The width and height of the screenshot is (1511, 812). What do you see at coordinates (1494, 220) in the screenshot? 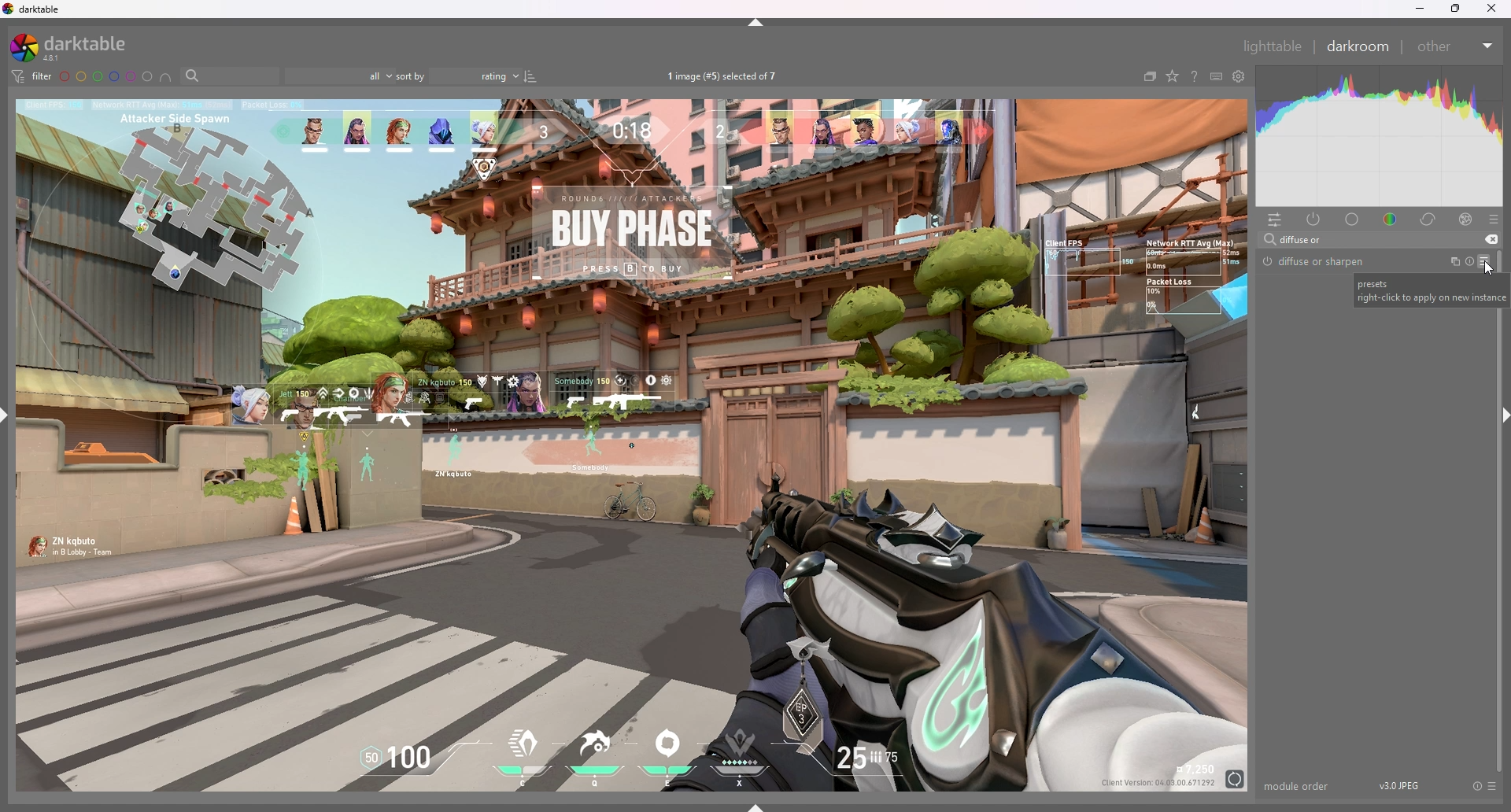
I see `presets` at bounding box center [1494, 220].